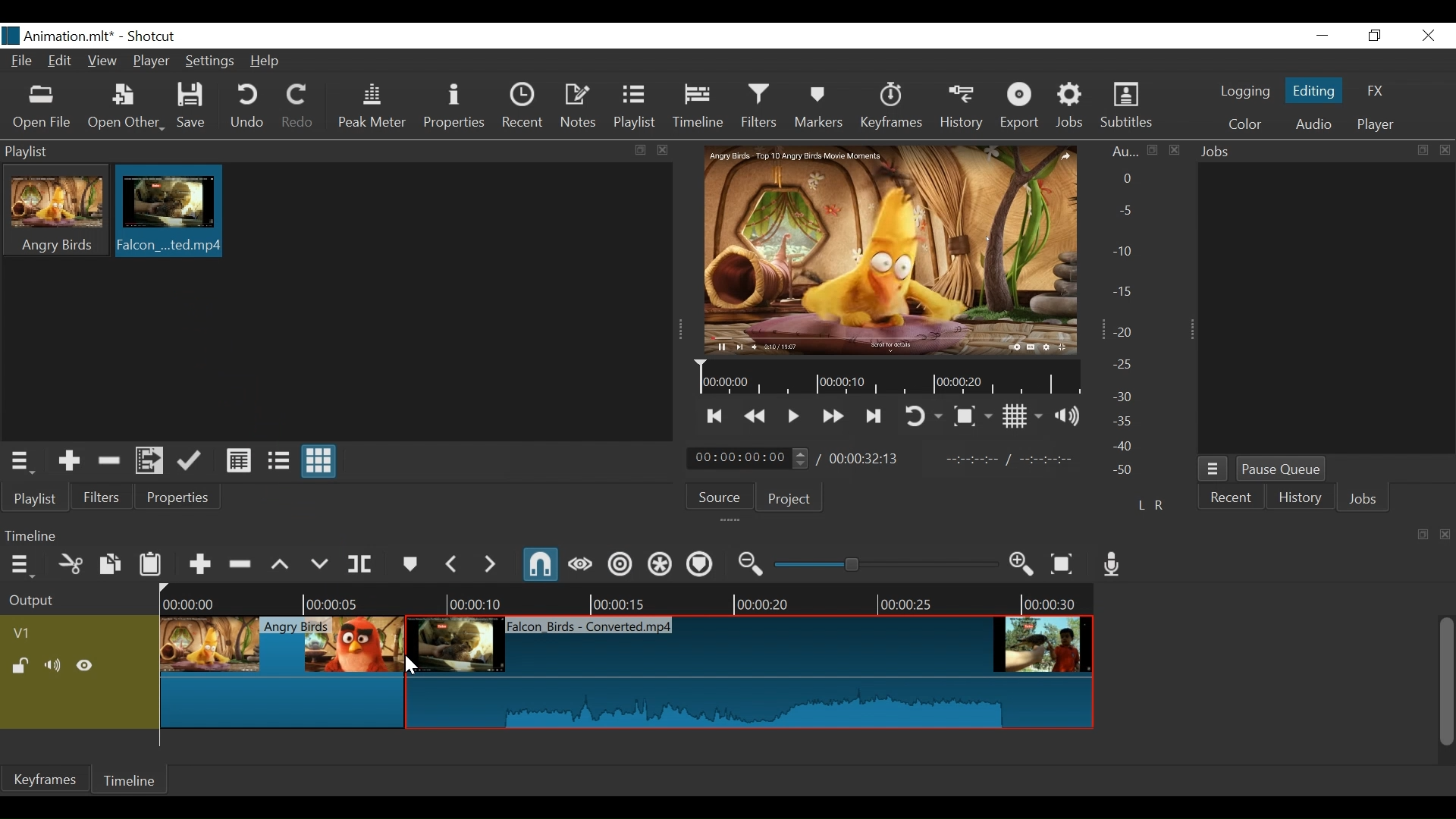 This screenshot has width=1456, height=819. What do you see at coordinates (456, 108) in the screenshot?
I see `Properties` at bounding box center [456, 108].